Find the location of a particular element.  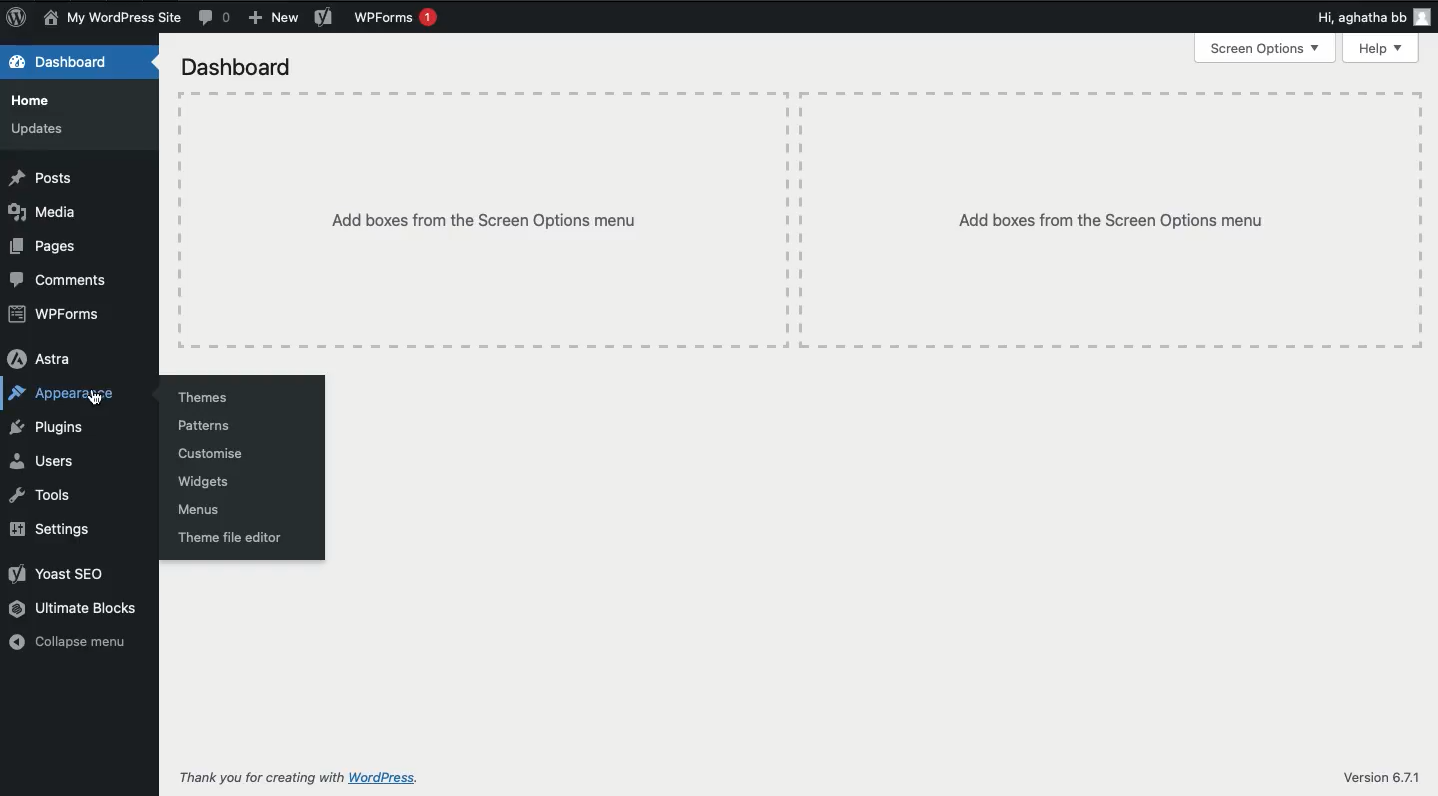

Dashboard is located at coordinates (63, 62).